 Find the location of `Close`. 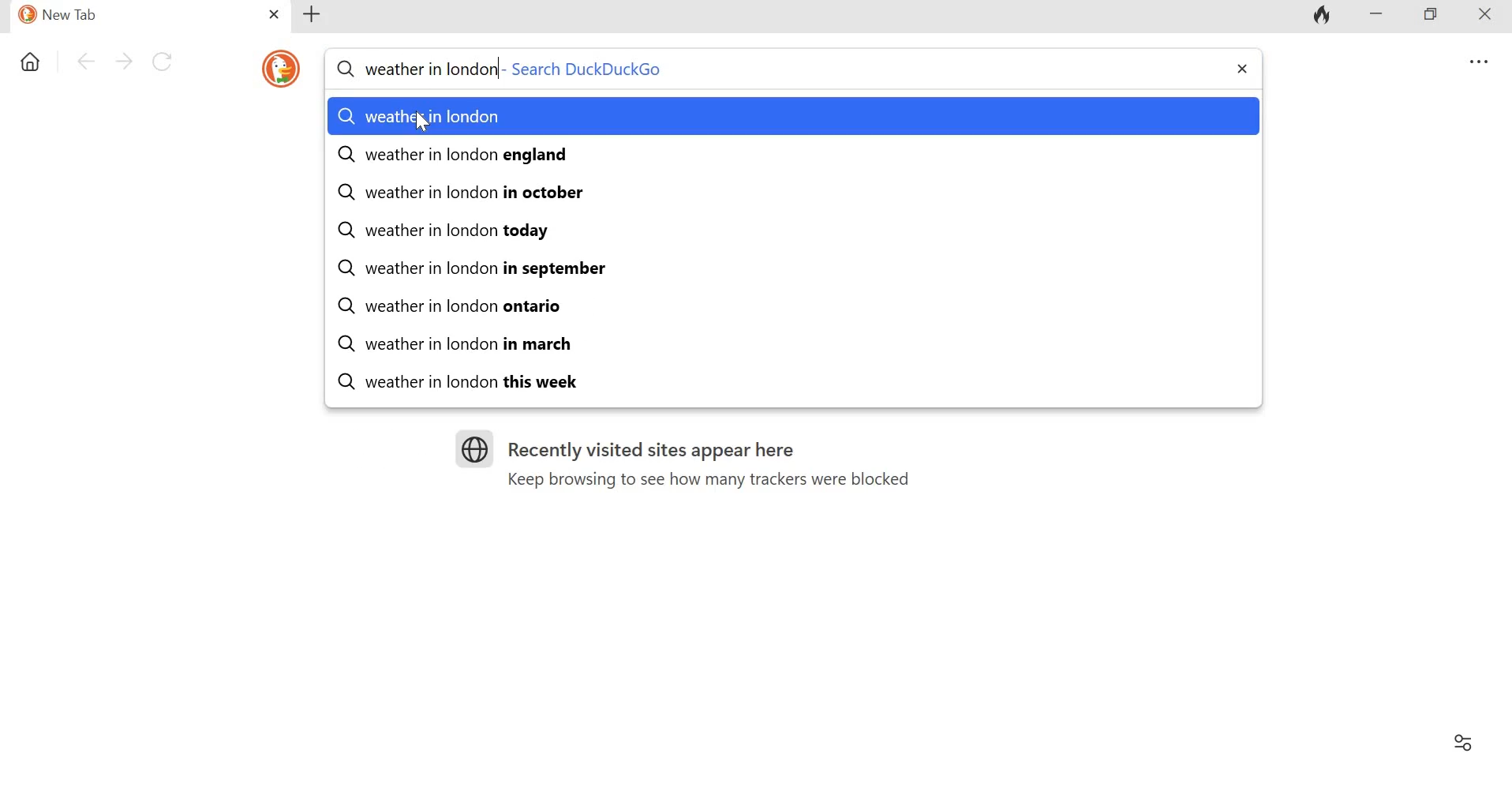

Close is located at coordinates (1488, 16).